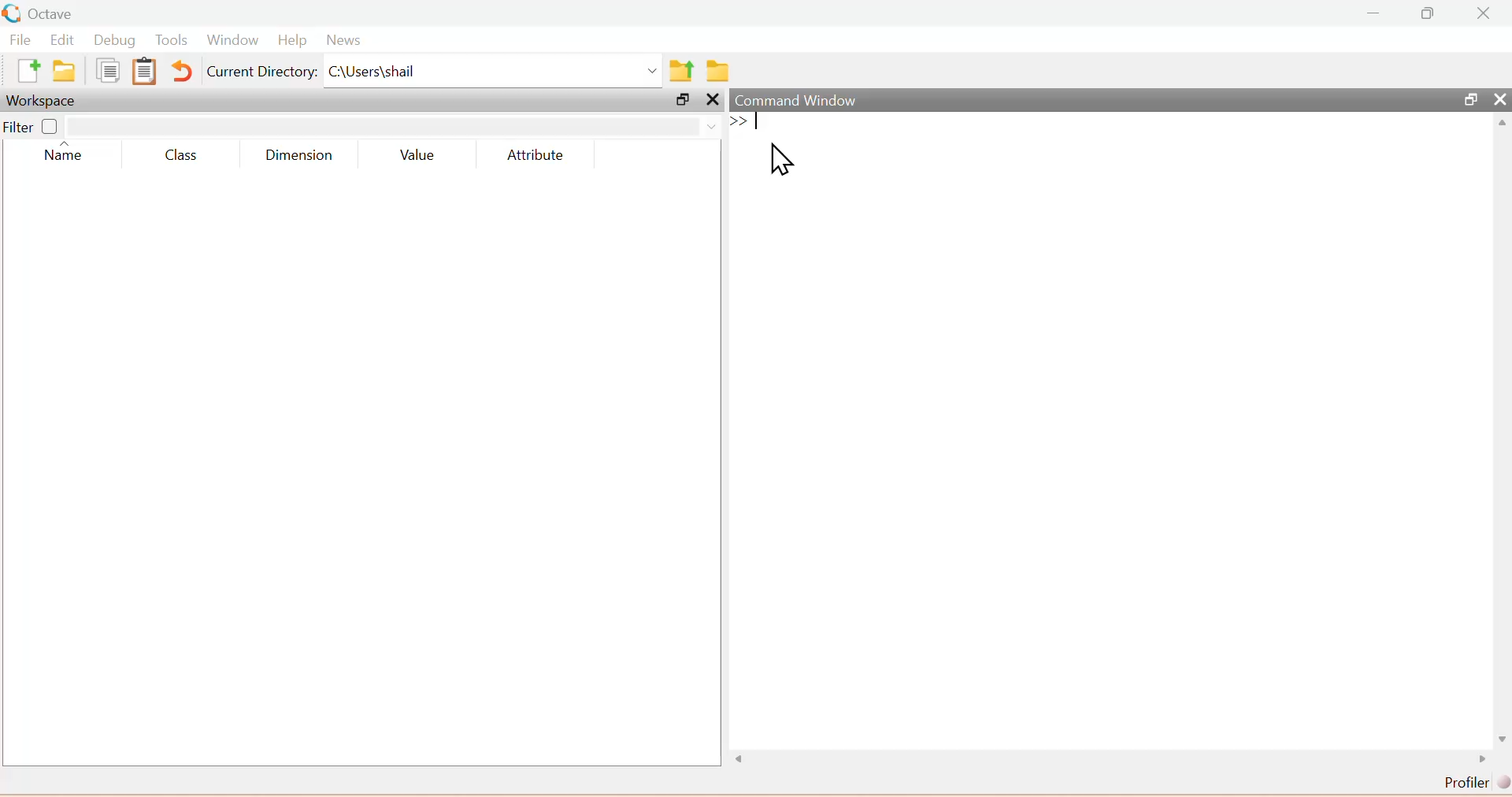  What do you see at coordinates (417, 157) in the screenshot?
I see `Value` at bounding box center [417, 157].